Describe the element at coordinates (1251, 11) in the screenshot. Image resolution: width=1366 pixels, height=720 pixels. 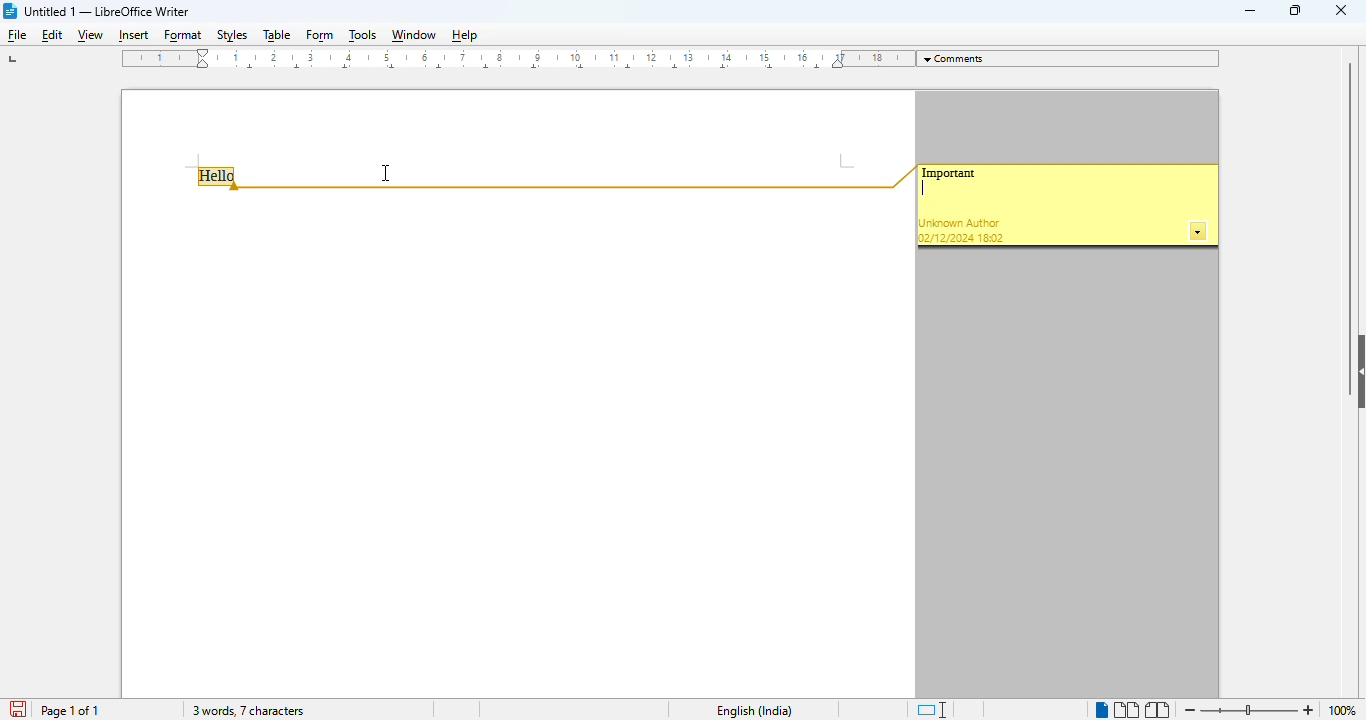
I see `minimize` at that location.